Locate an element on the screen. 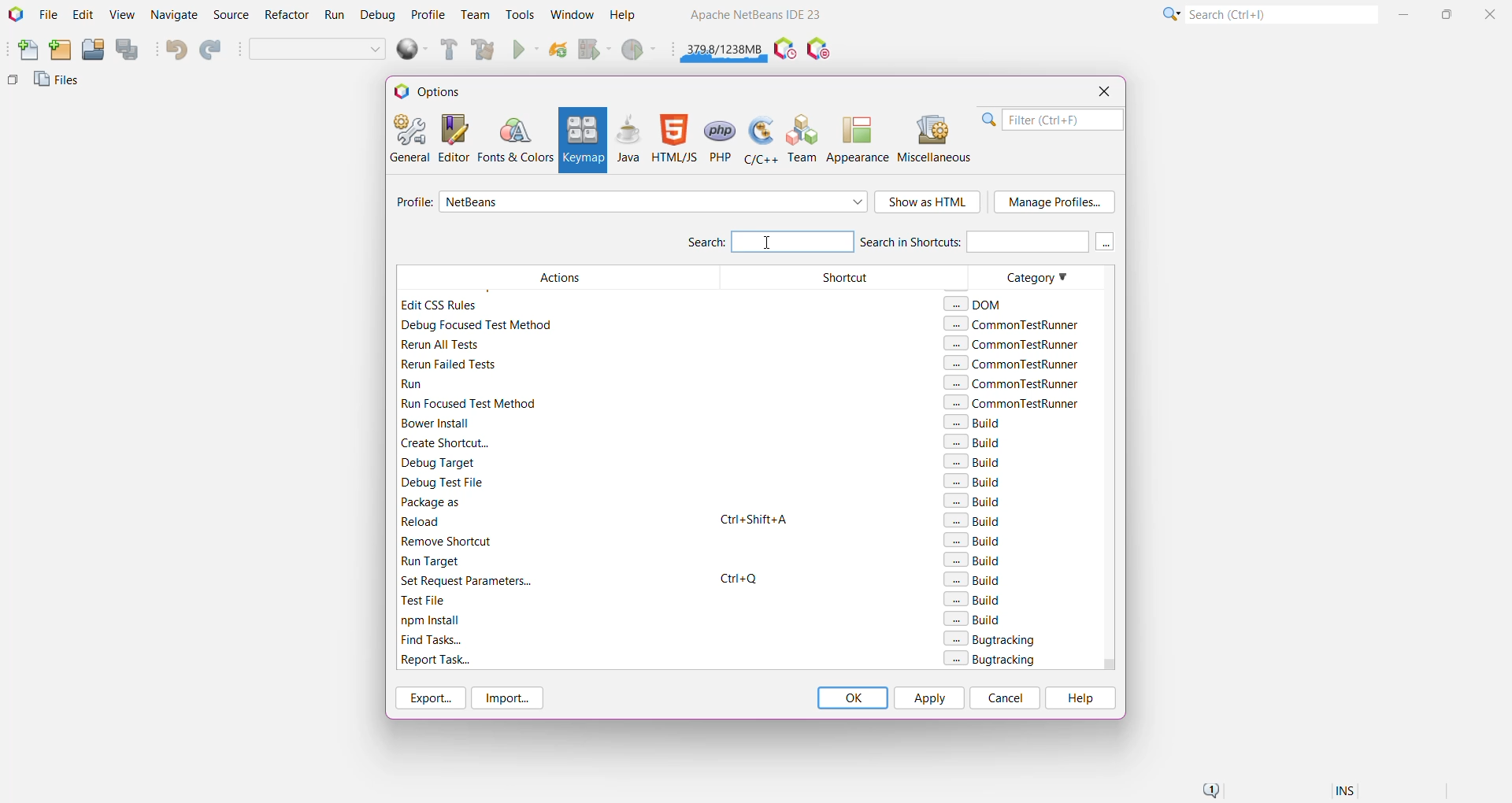  Cancel is located at coordinates (1005, 698).